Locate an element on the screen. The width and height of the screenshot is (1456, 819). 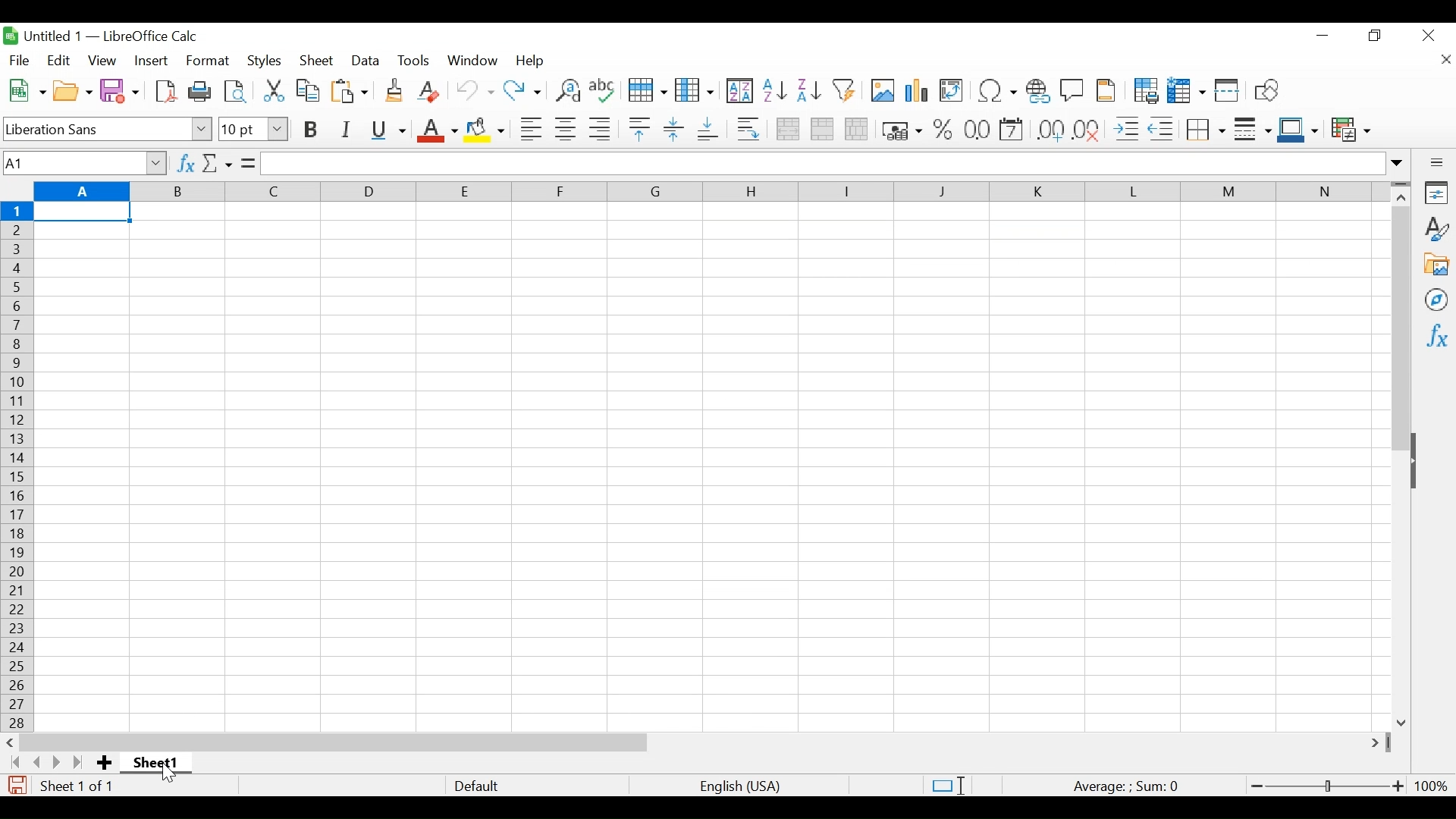
Italics is located at coordinates (344, 130).